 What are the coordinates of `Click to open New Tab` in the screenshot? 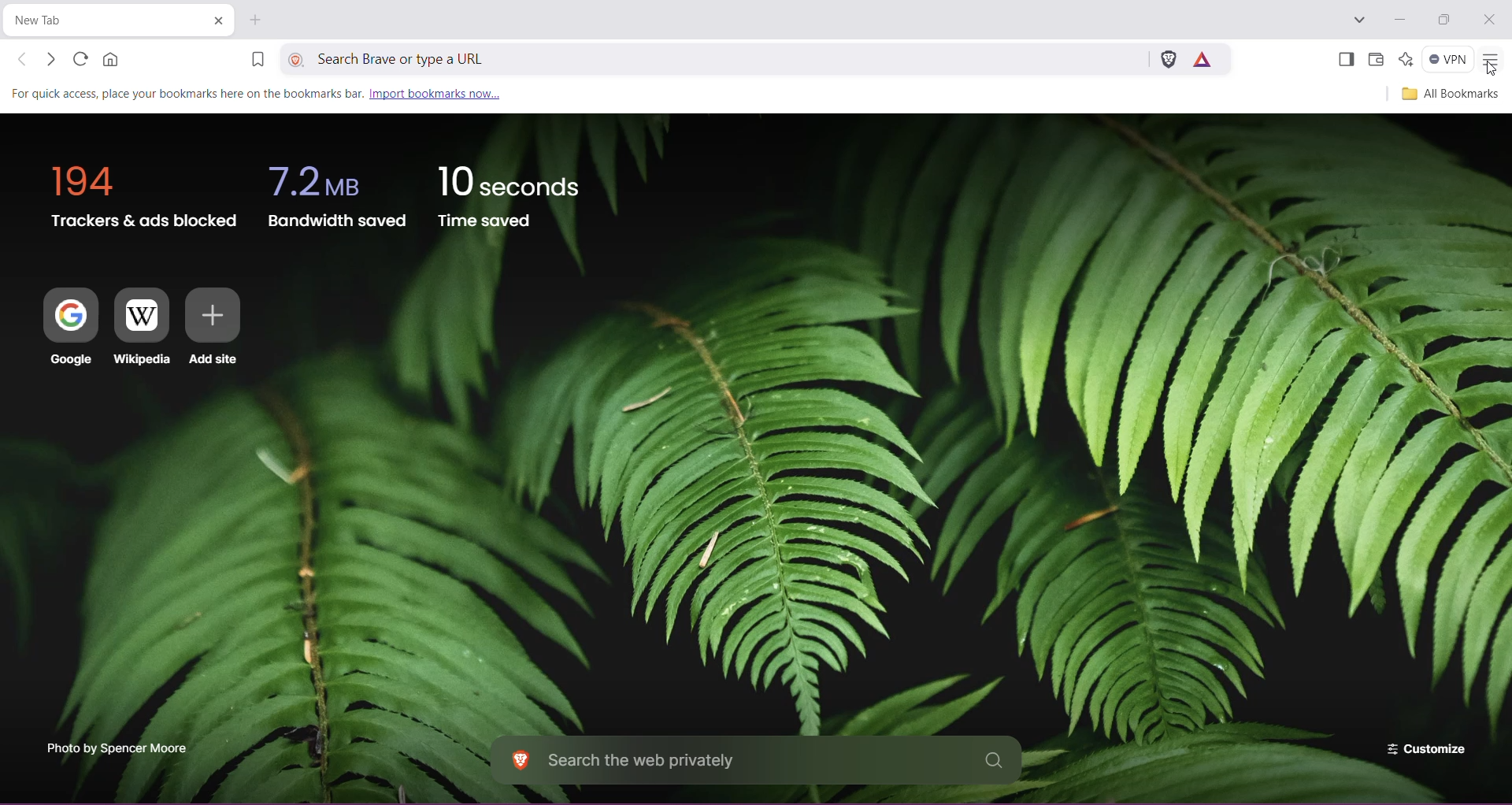 It's located at (255, 20).